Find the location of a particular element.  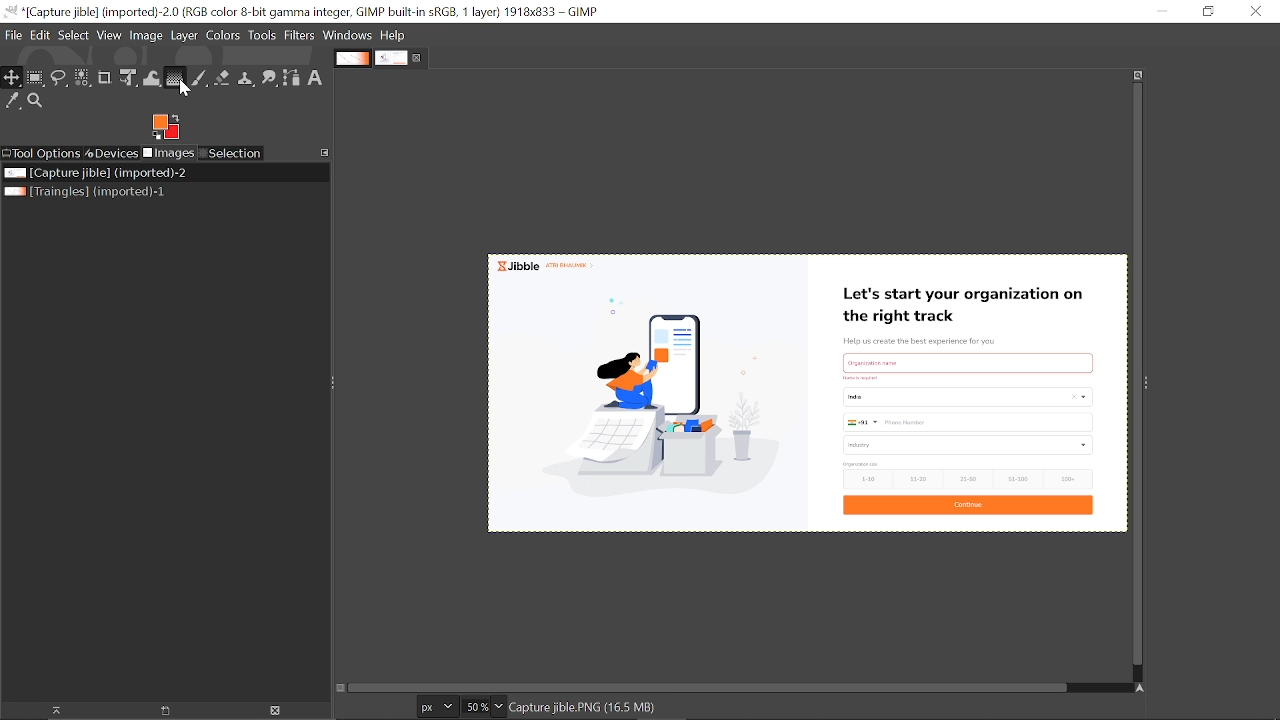

Gradient tool is located at coordinates (175, 77).